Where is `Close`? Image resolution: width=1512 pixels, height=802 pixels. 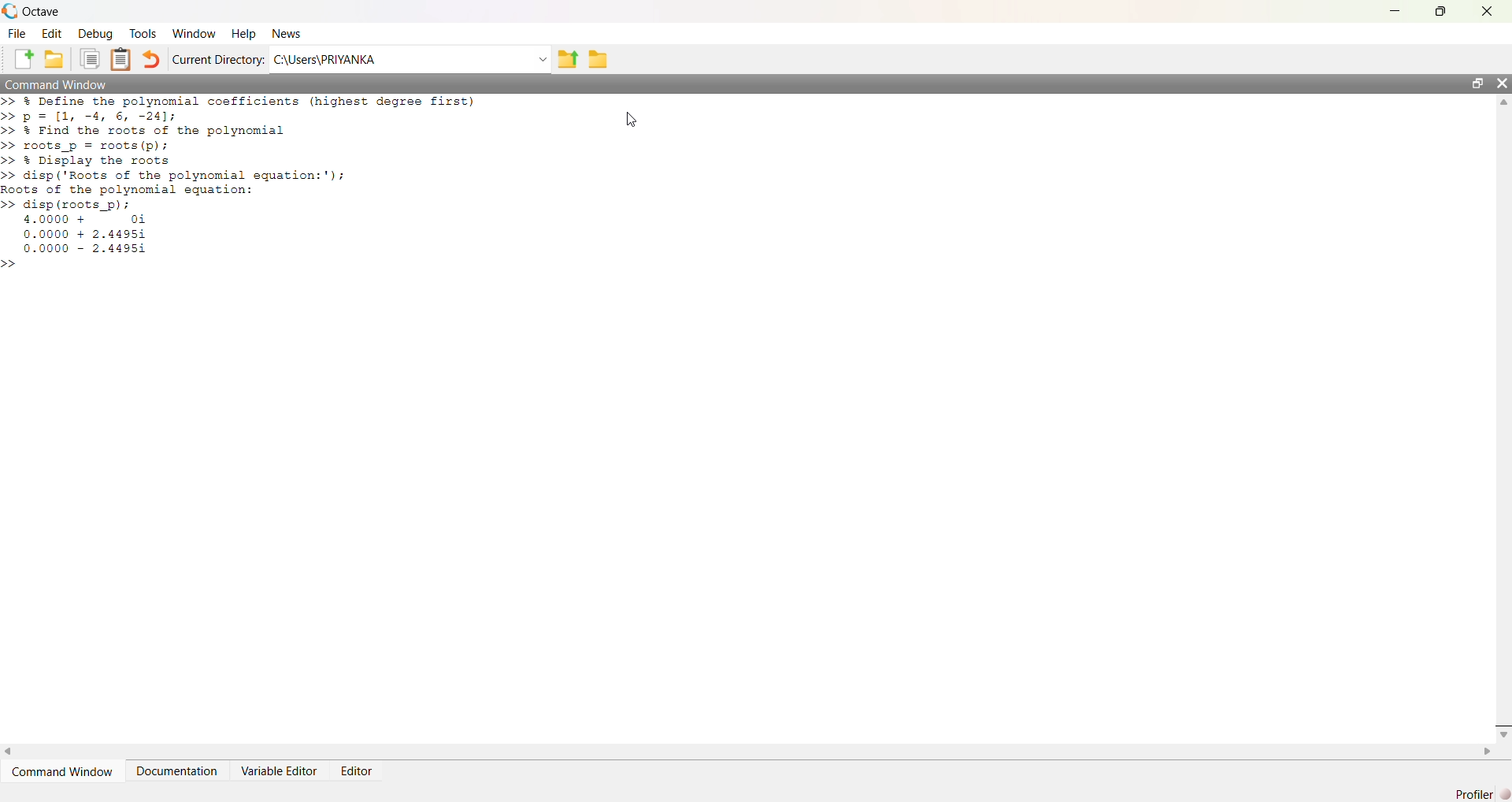
Close is located at coordinates (1503, 87).